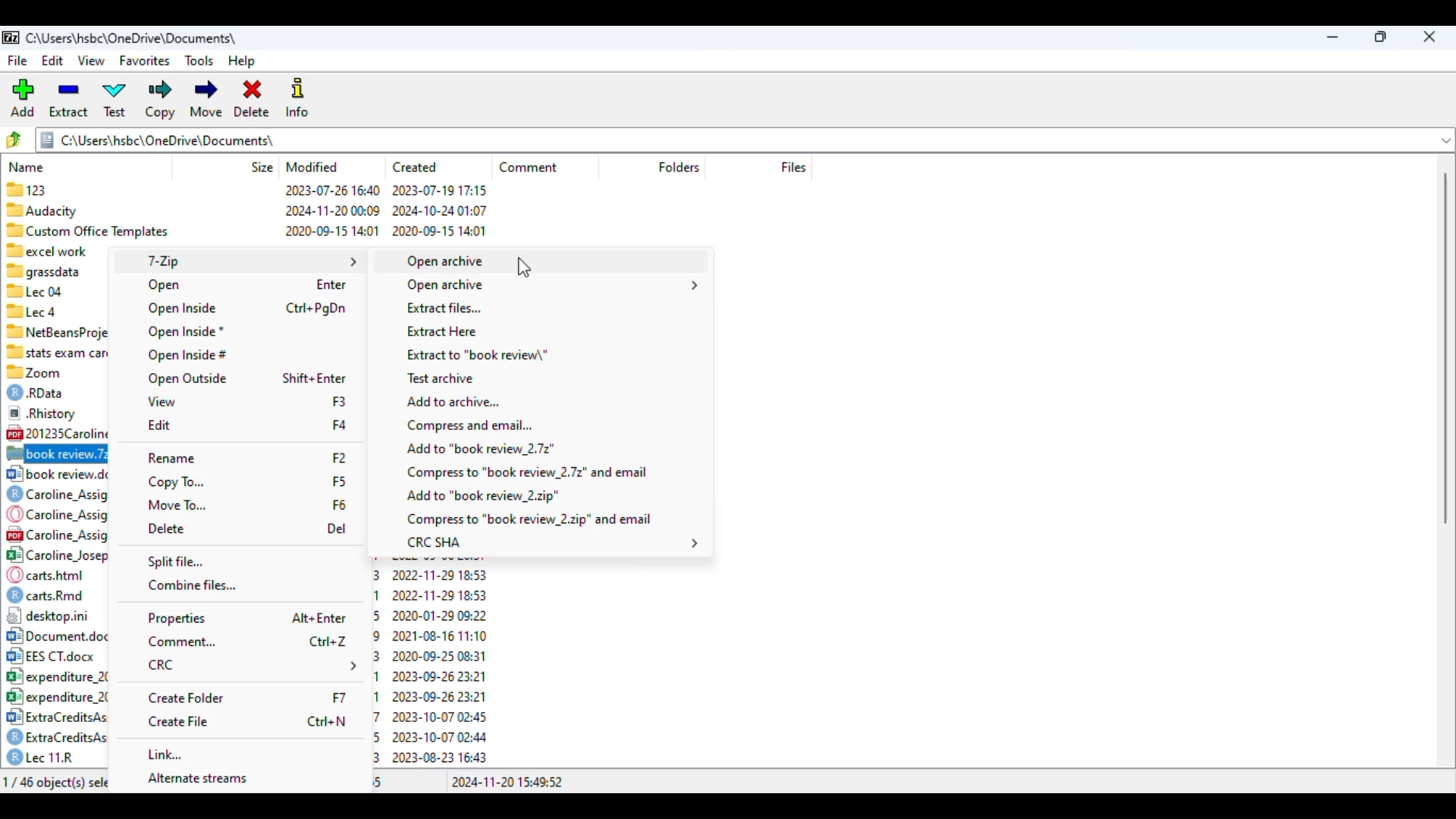 This screenshot has width=1456, height=819. Describe the element at coordinates (506, 782) in the screenshot. I see `2024-11-20 15:49:52` at that location.